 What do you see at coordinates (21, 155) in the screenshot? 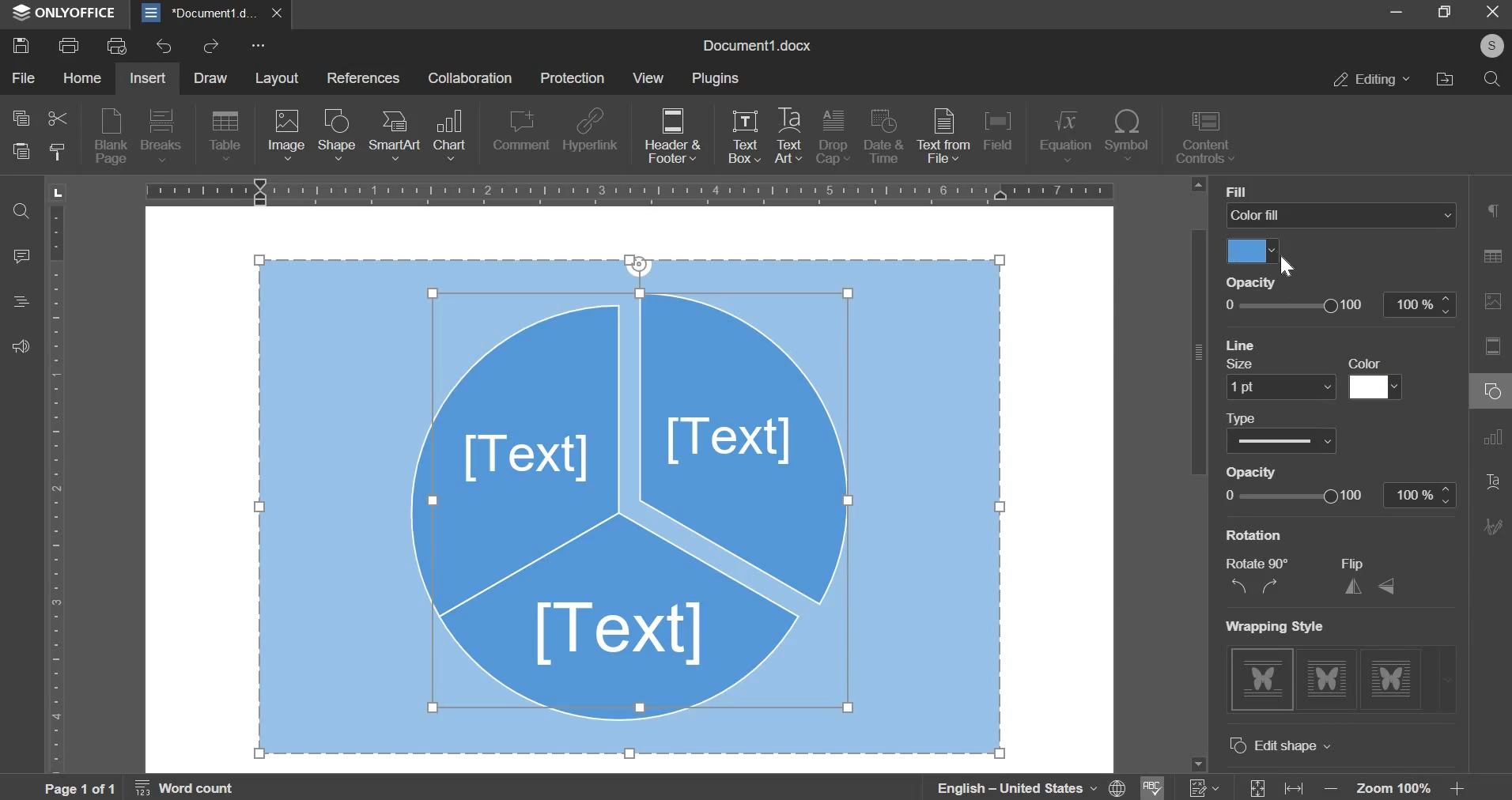
I see `paste` at bounding box center [21, 155].